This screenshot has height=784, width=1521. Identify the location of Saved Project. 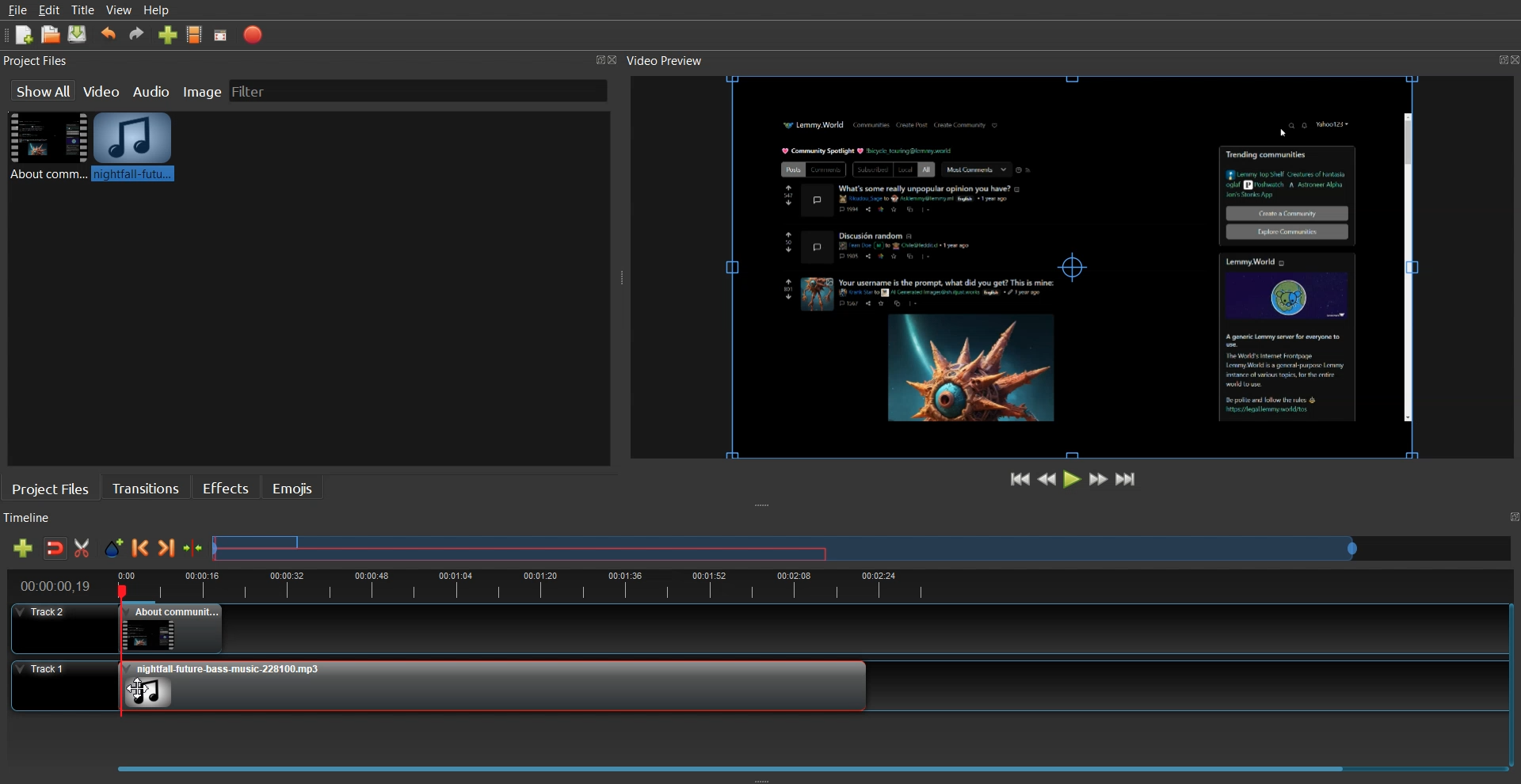
(78, 34).